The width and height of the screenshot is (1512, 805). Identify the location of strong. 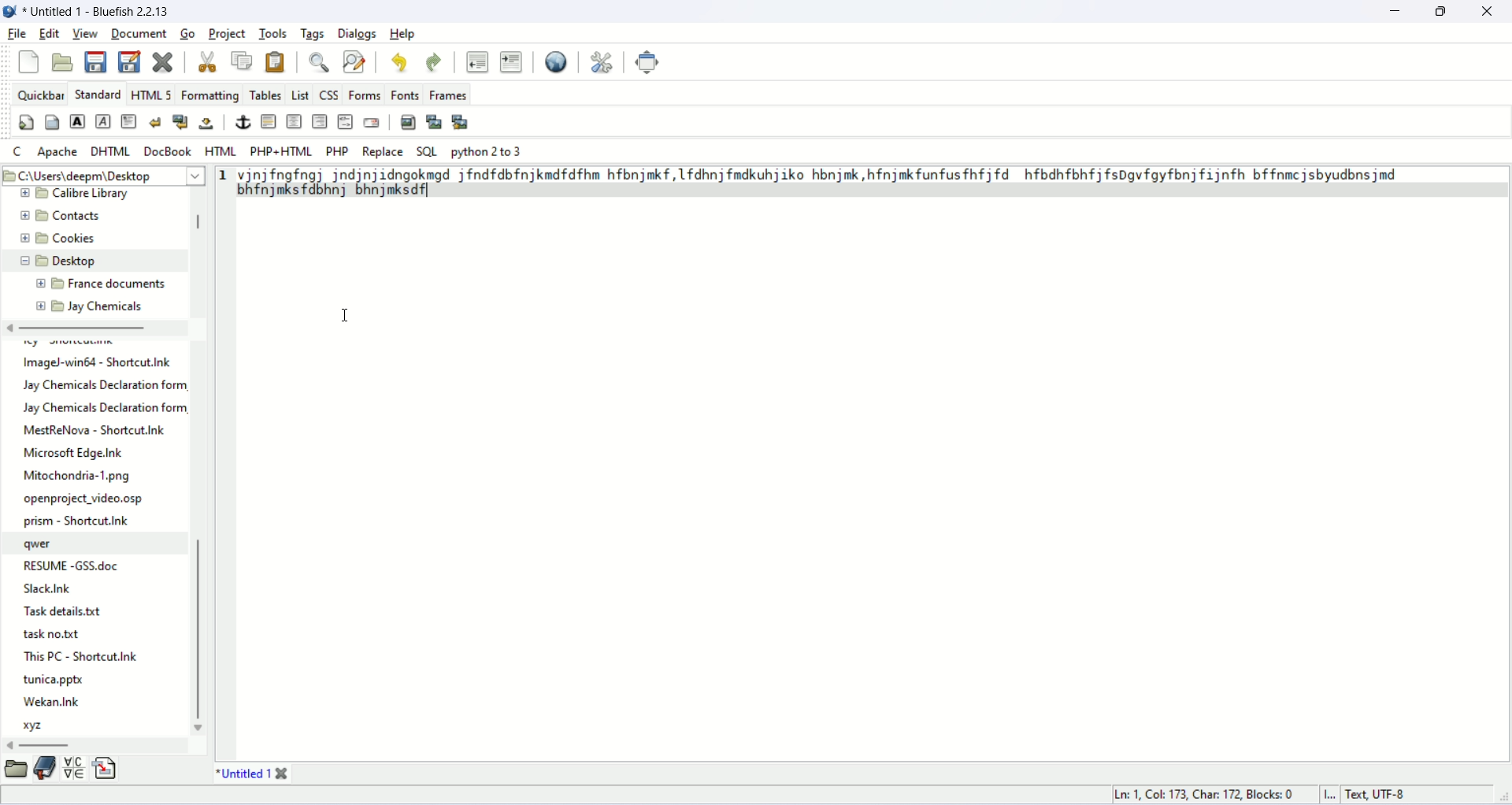
(77, 121).